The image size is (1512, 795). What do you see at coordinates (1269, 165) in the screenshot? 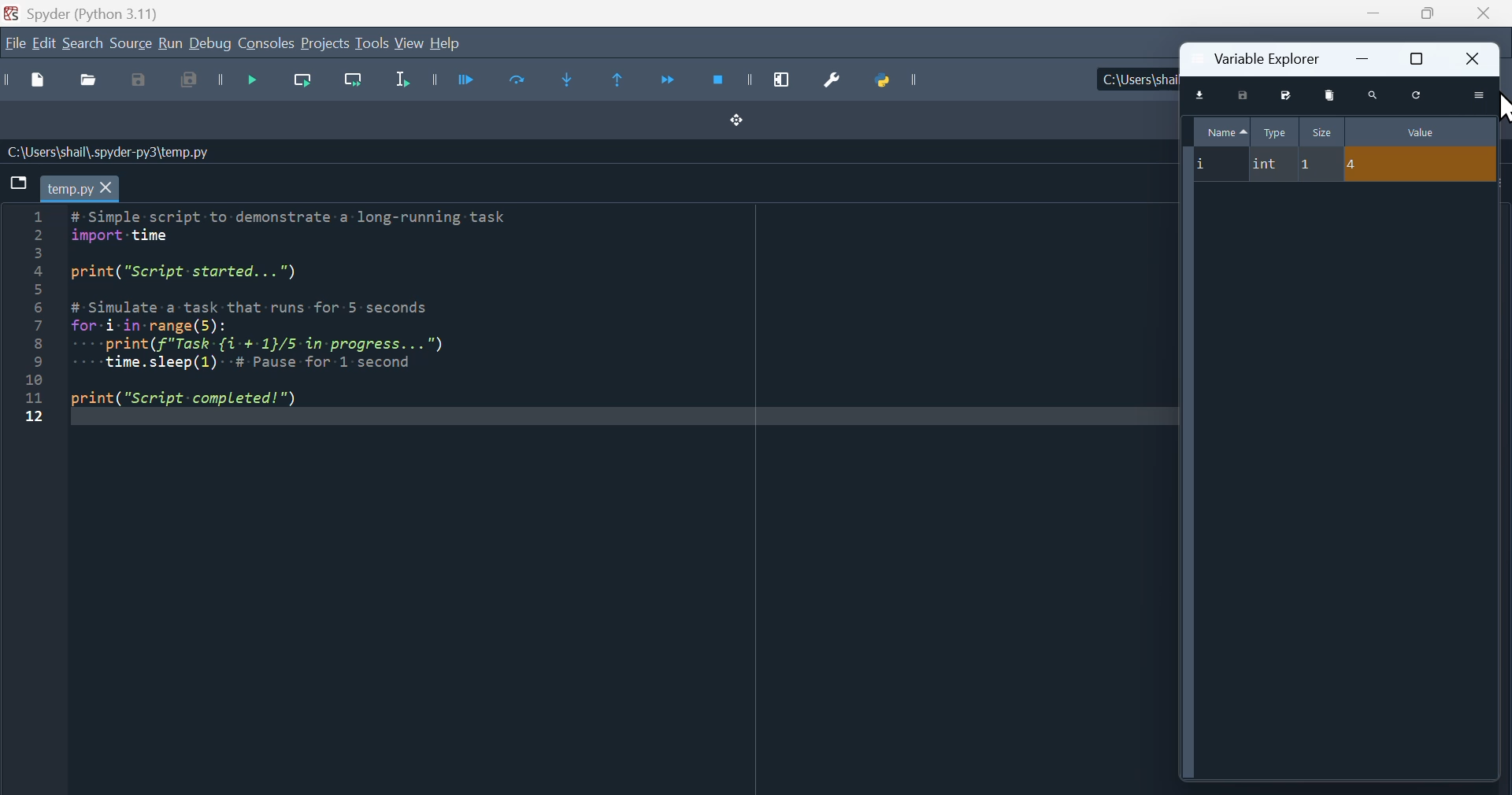
I see `int` at bounding box center [1269, 165].